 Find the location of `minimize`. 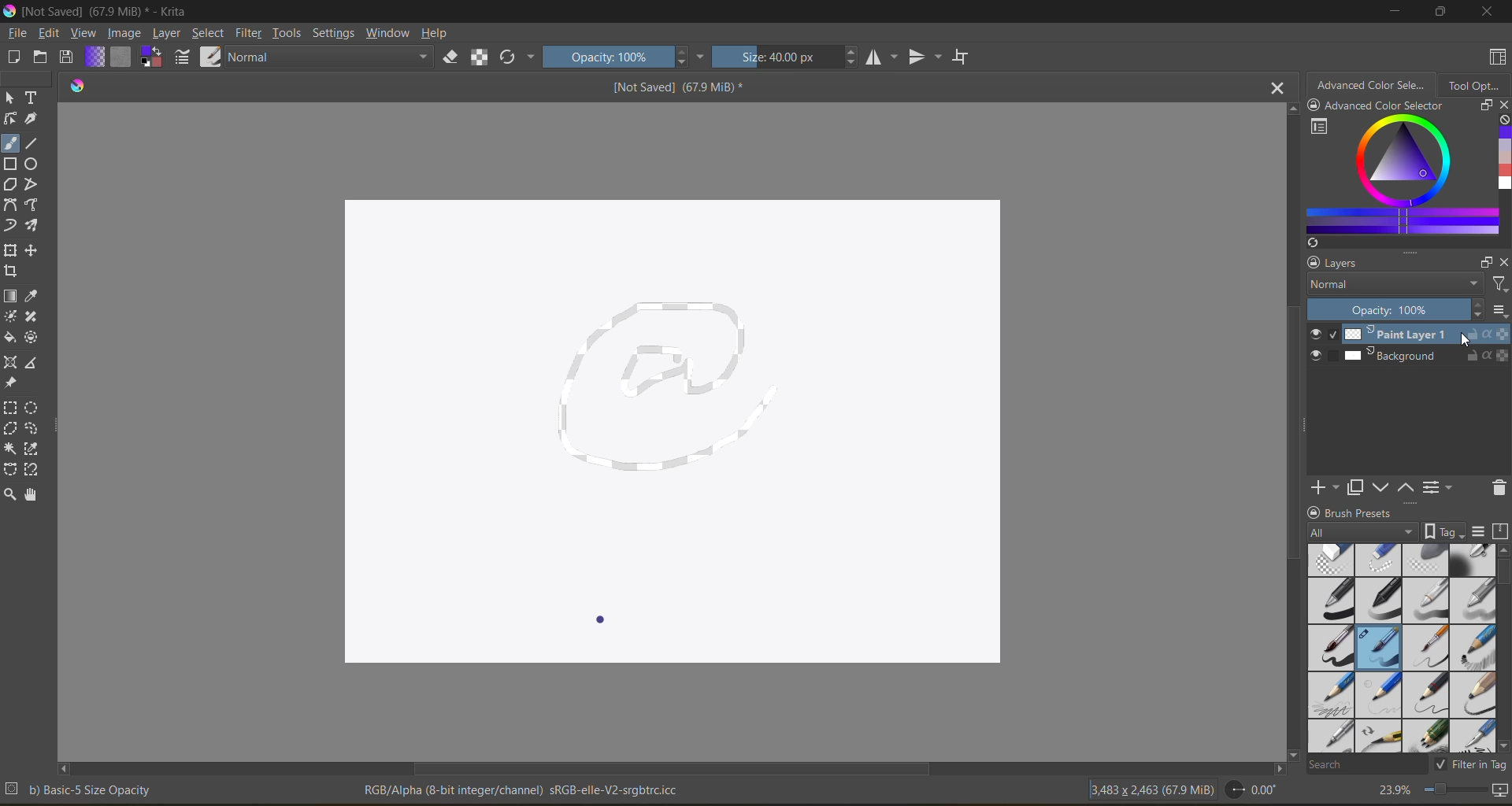

minimize is located at coordinates (1396, 13).